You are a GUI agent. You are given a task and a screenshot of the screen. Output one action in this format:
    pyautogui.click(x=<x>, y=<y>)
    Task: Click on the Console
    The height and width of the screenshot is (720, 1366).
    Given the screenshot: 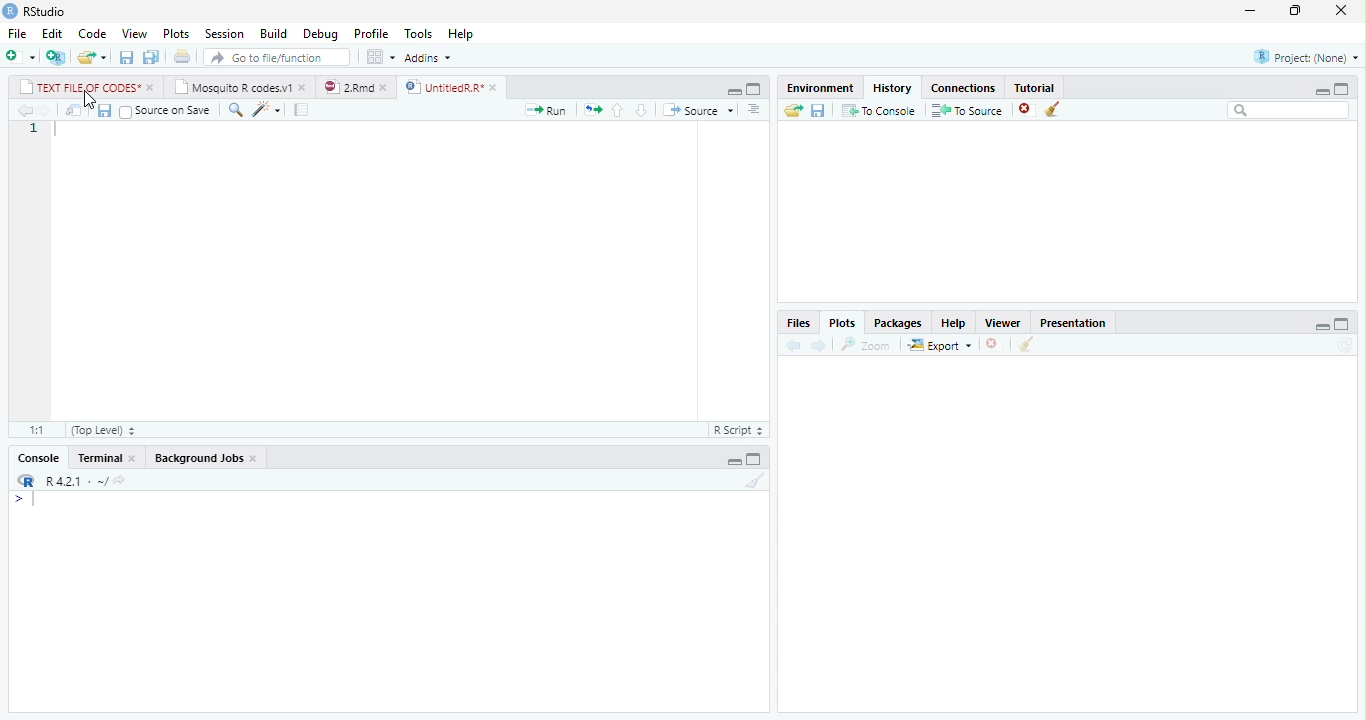 What is the action you would take?
    pyautogui.click(x=39, y=458)
    